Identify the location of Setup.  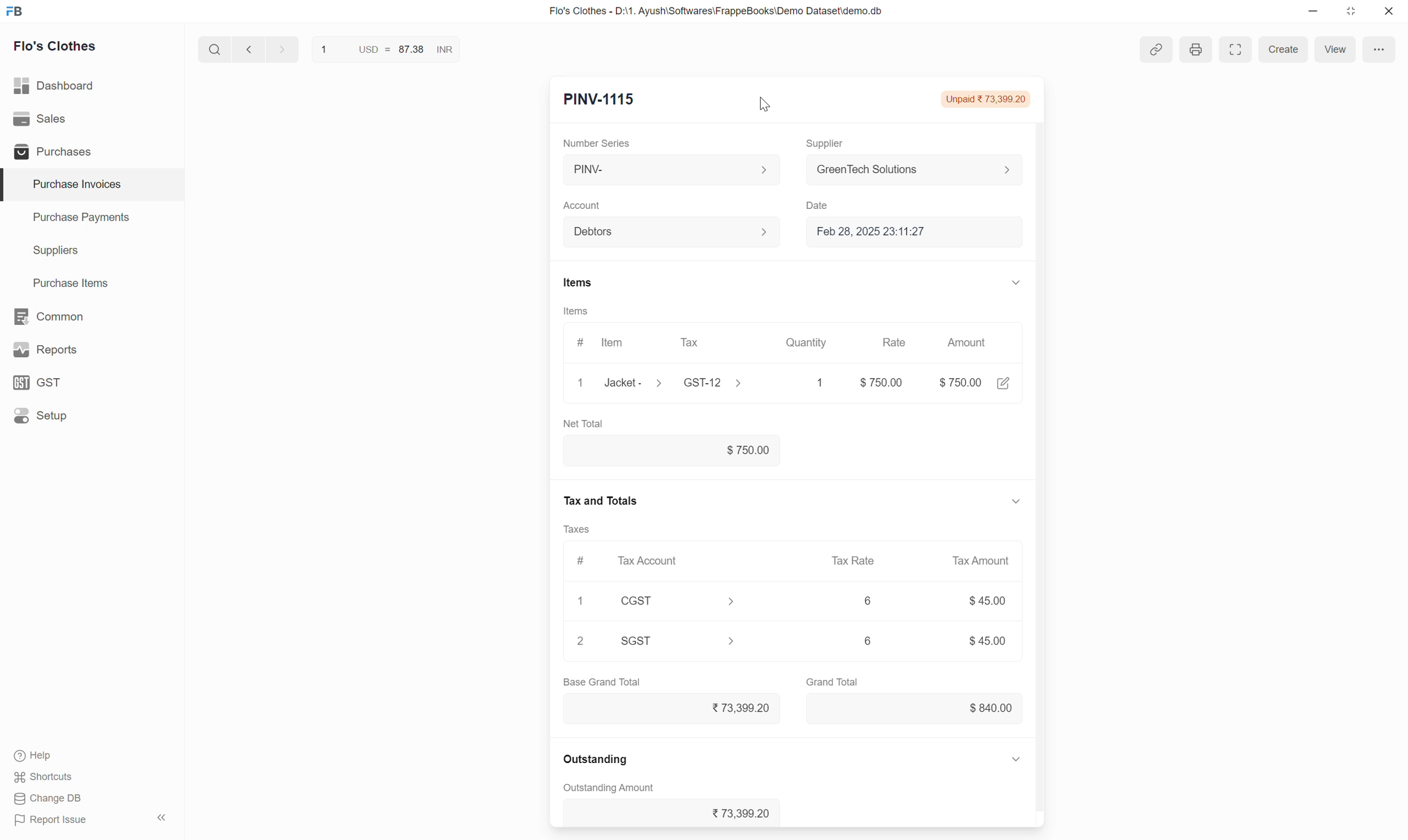
(91, 415).